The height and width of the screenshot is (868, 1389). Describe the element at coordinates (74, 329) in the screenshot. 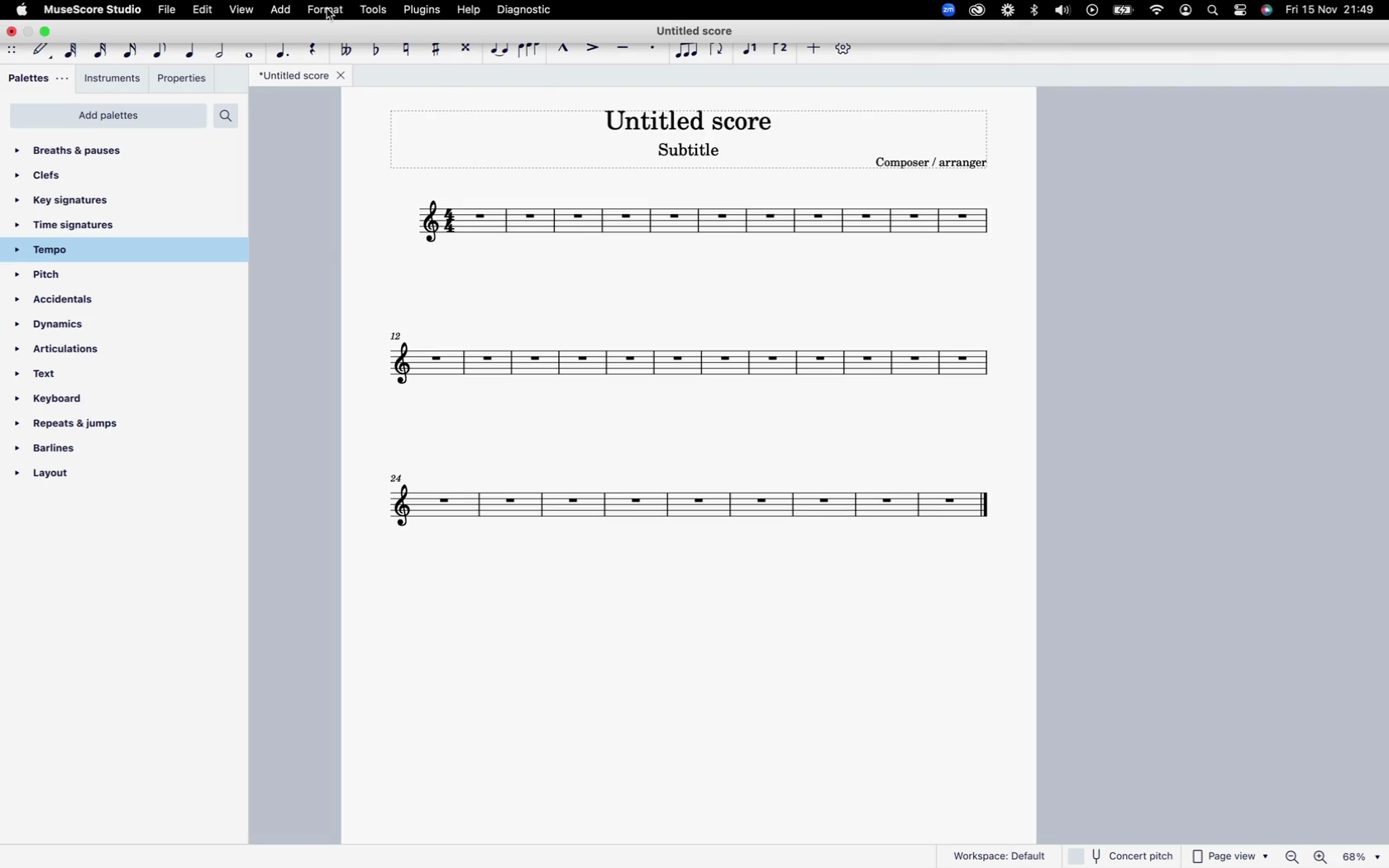

I see `dynamics` at that location.